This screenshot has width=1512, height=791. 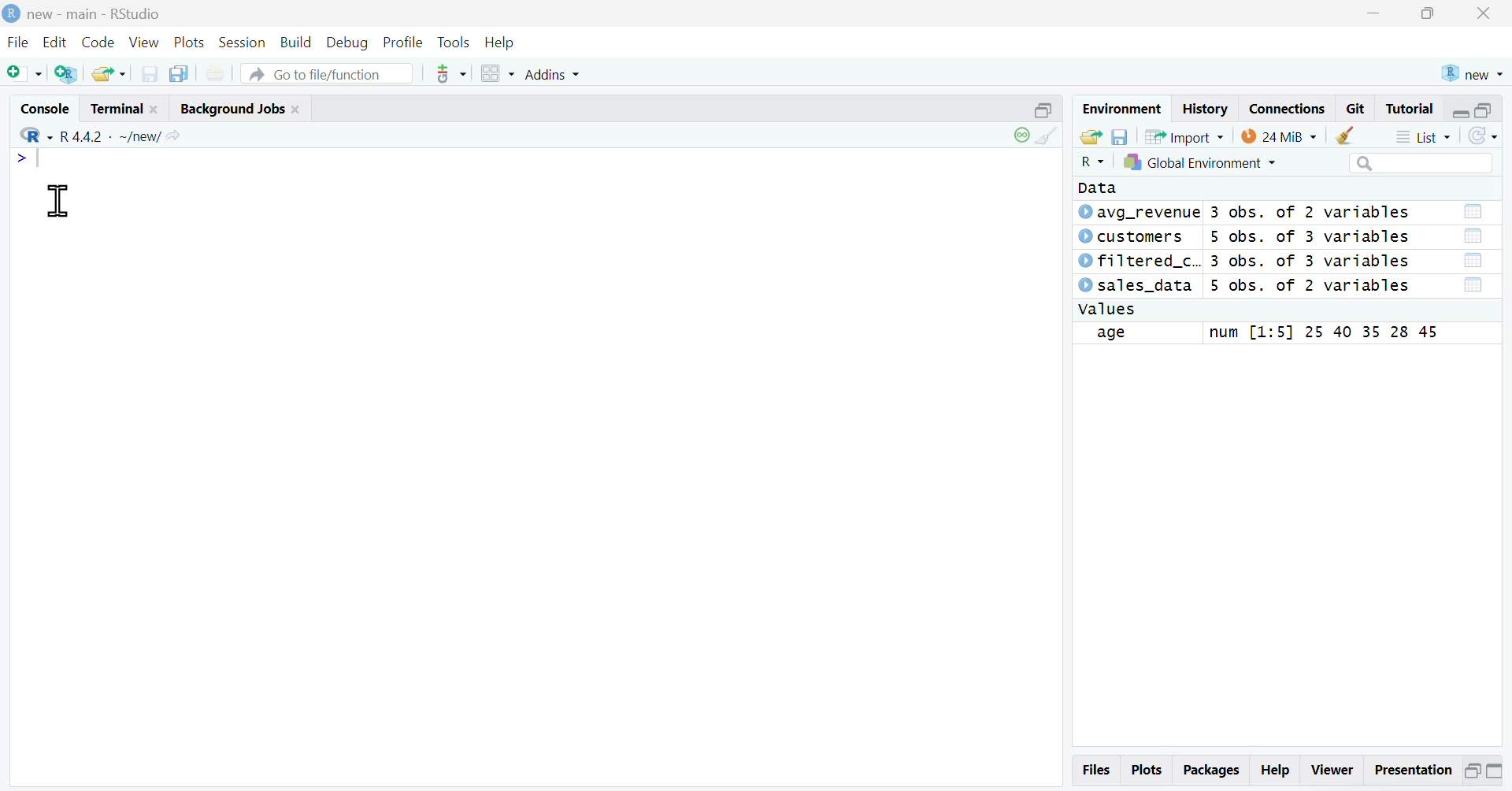 What do you see at coordinates (1471, 73) in the screenshot?
I see `new project` at bounding box center [1471, 73].